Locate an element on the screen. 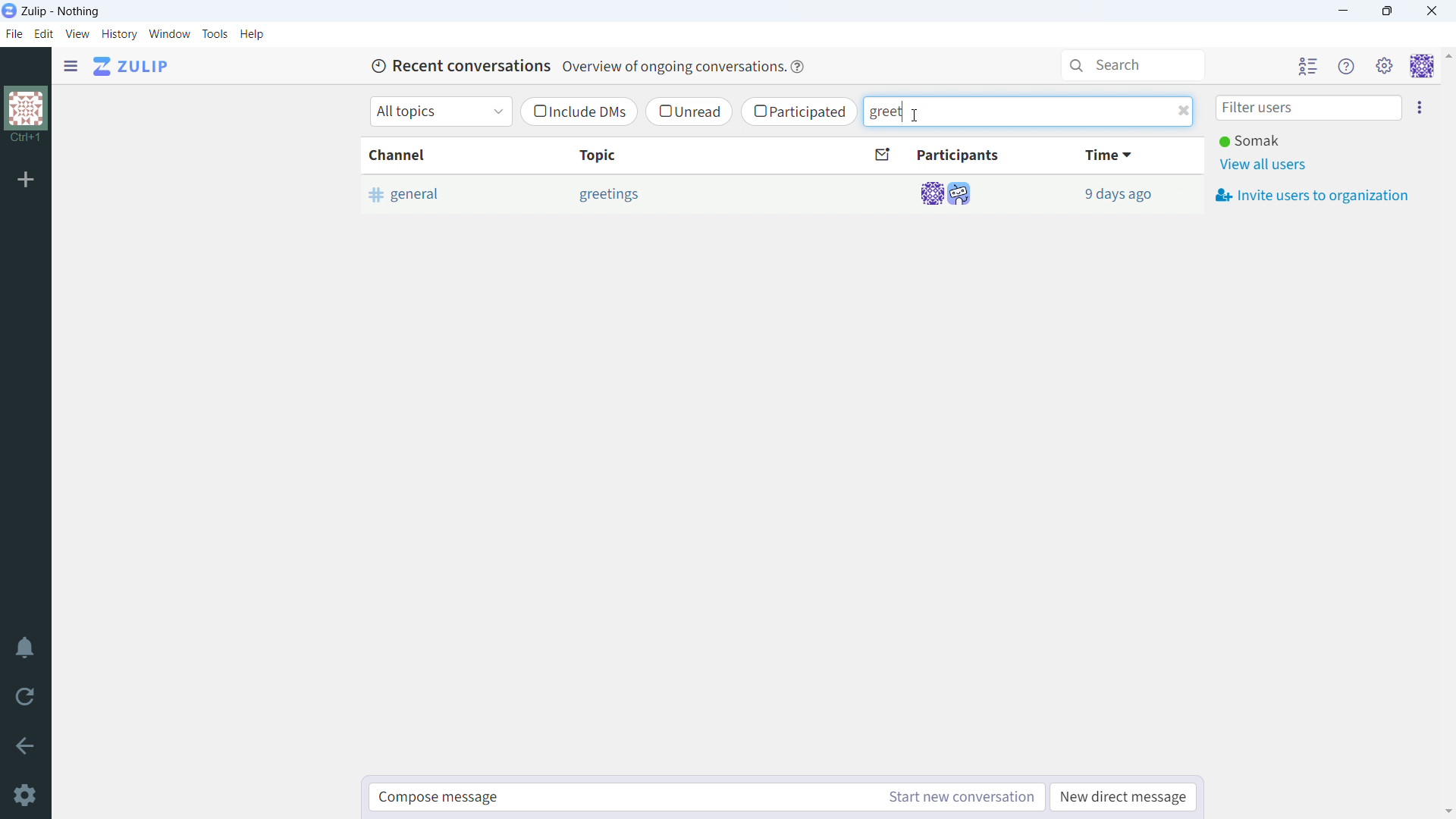 This screenshot has width=1456, height=819. participants is located at coordinates (939, 155).